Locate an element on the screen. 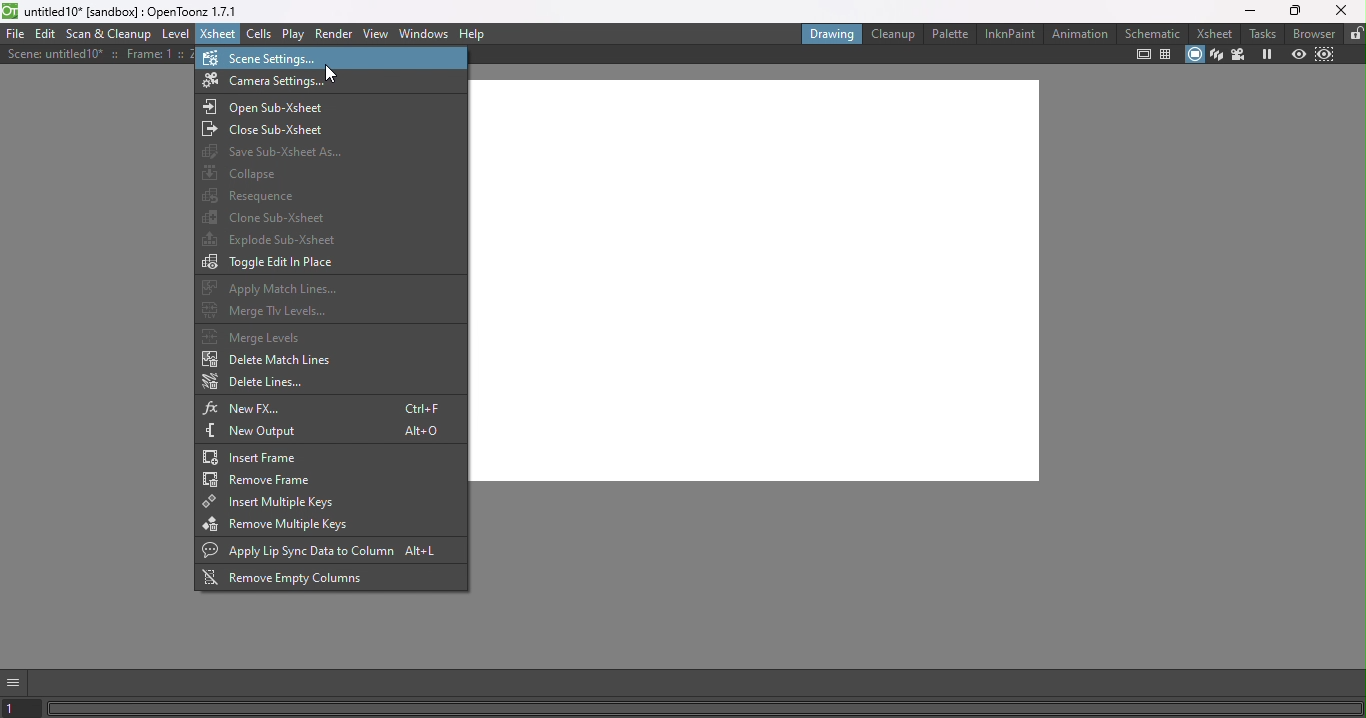 The height and width of the screenshot is (718, 1366). New FX... is located at coordinates (323, 406).